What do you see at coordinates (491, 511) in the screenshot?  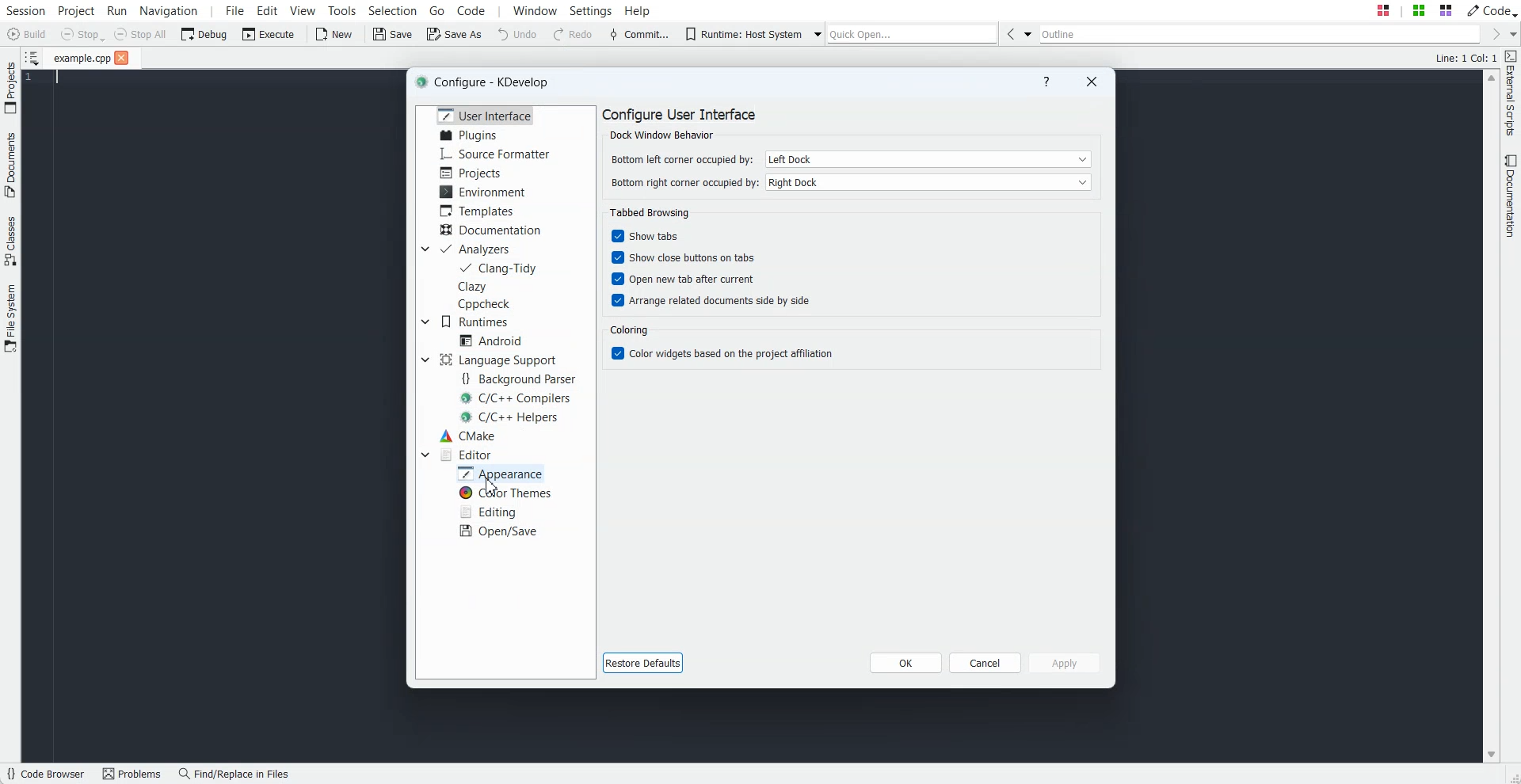 I see `Editing` at bounding box center [491, 511].